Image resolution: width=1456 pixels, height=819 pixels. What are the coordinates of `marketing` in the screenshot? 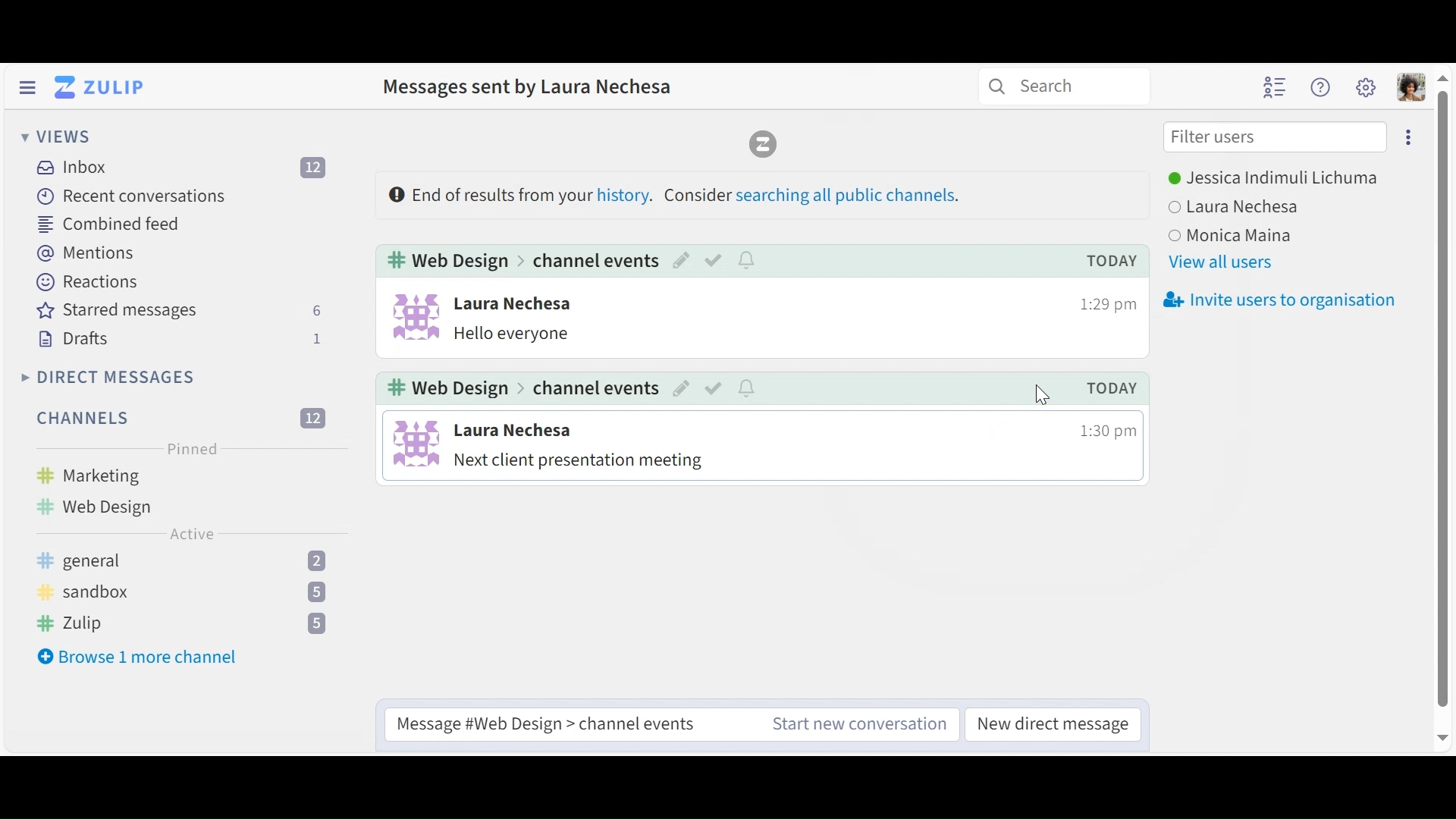 It's located at (117, 477).